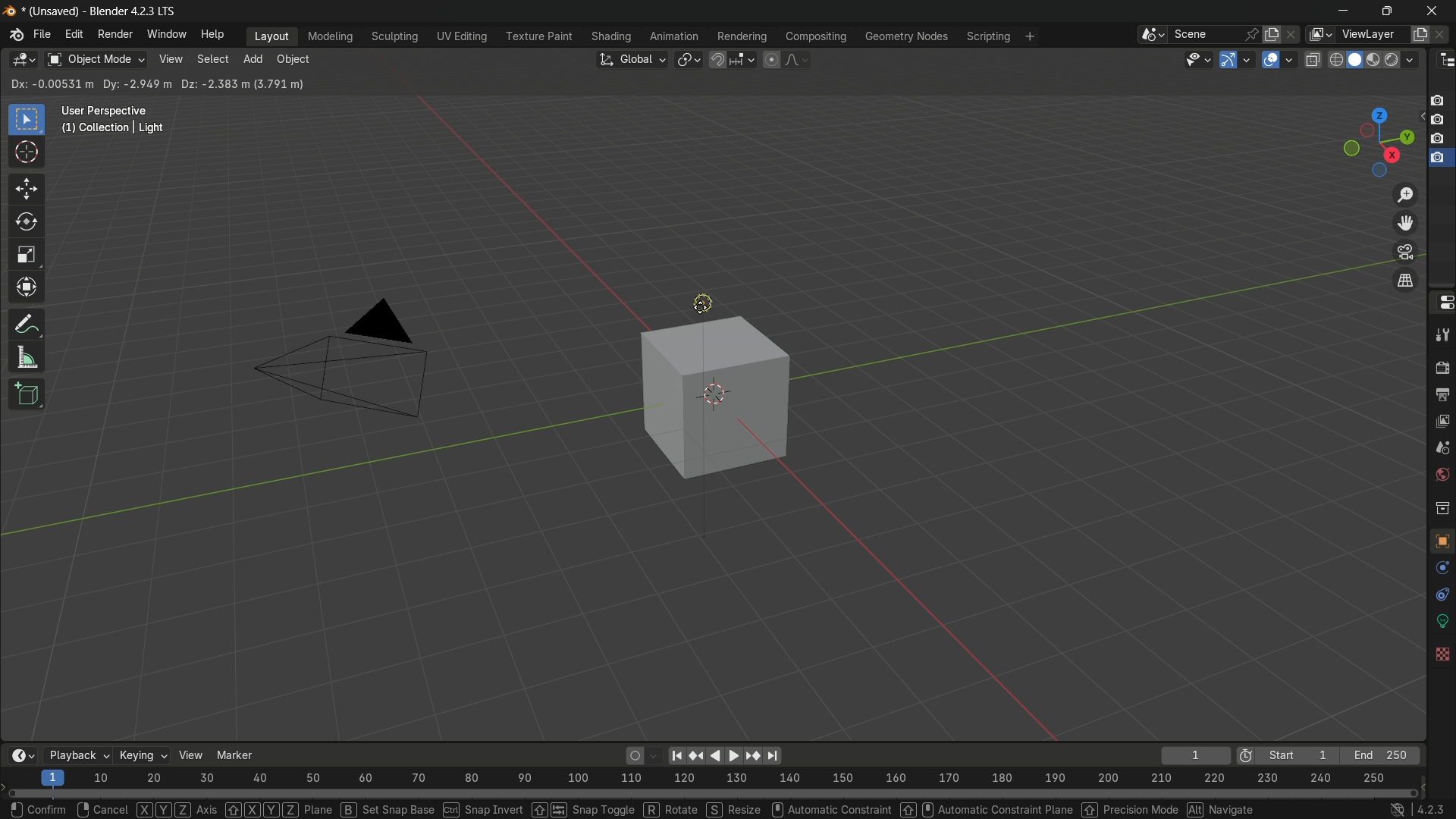 This screenshot has width=1456, height=819. I want to click on rendered, so click(1403, 59).